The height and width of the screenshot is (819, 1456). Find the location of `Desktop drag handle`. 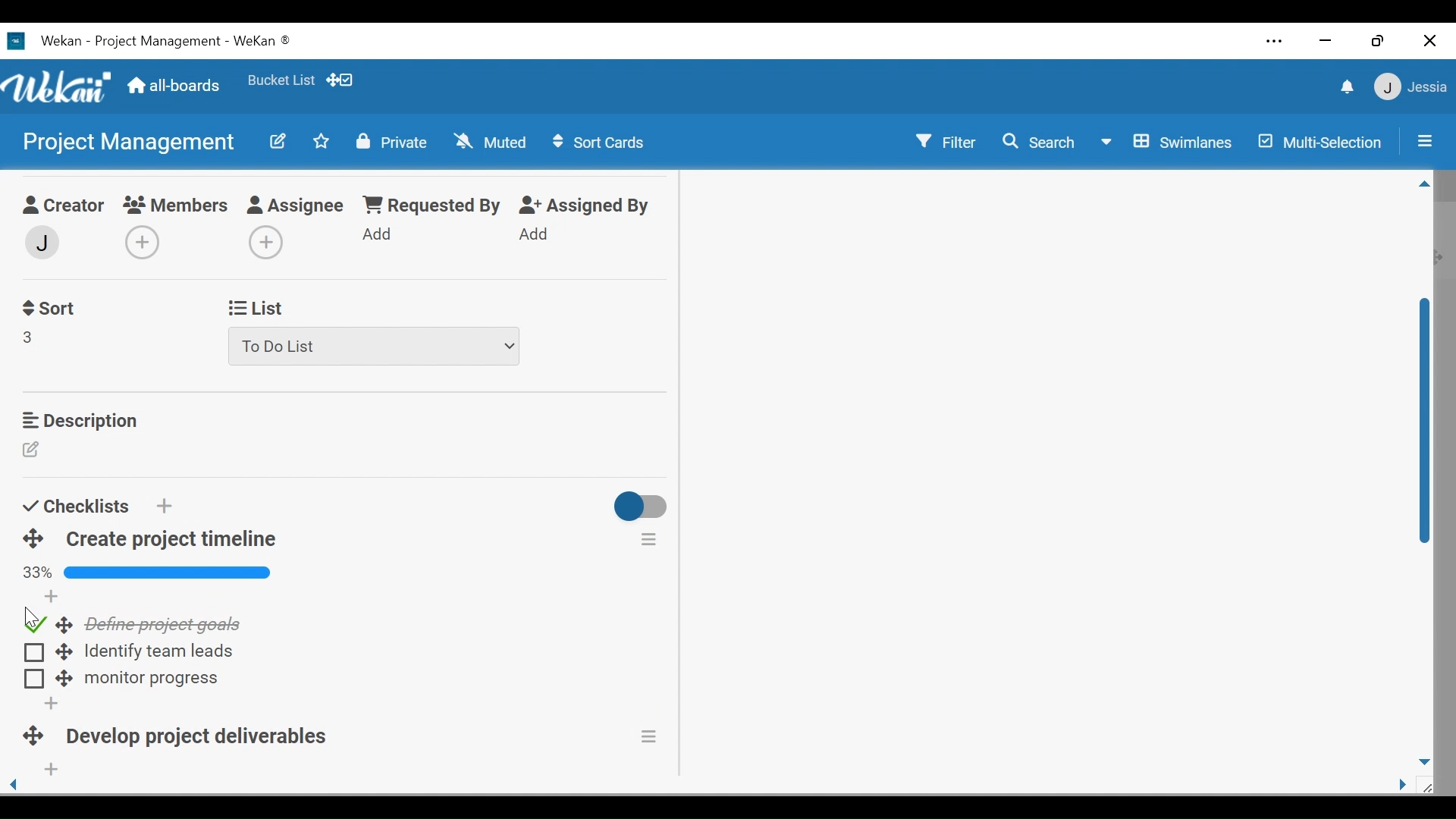

Desktop drag handle is located at coordinates (63, 655).